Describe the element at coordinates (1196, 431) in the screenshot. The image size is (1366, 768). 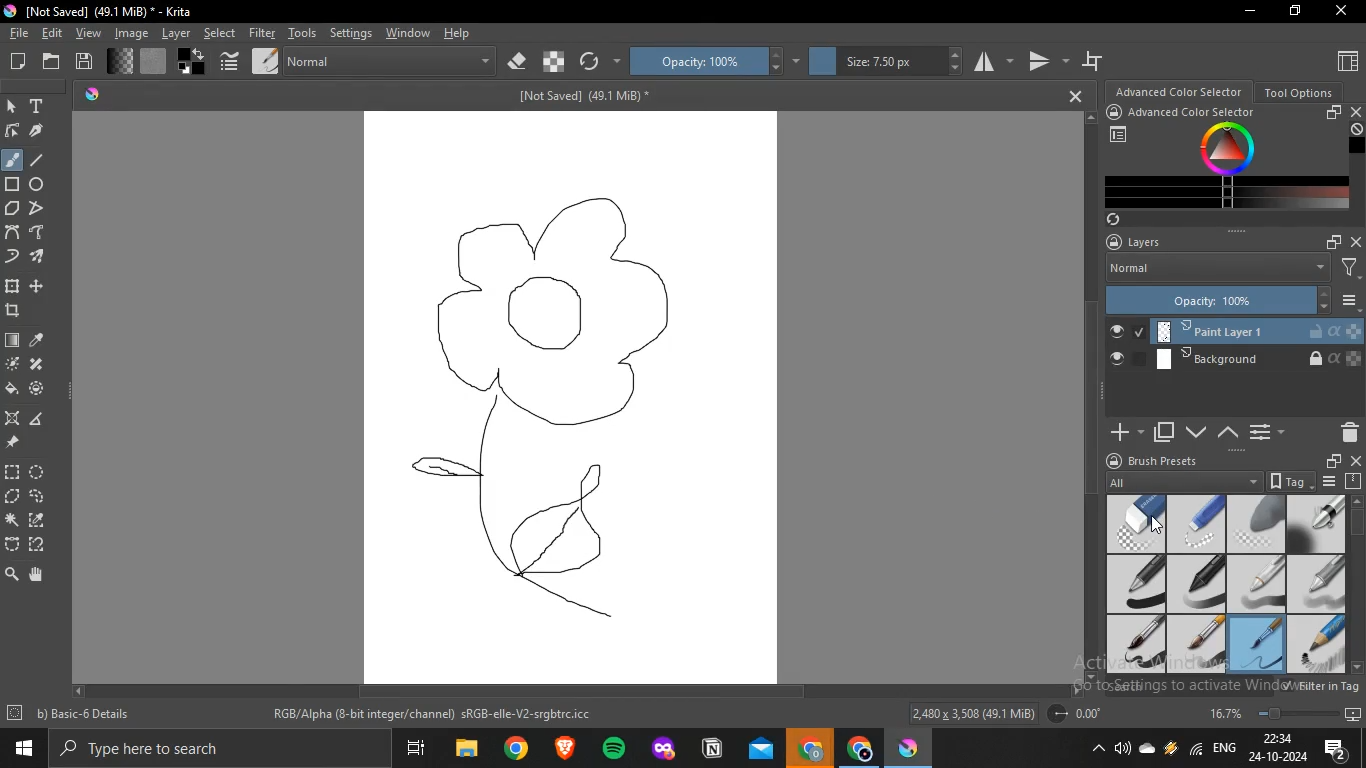
I see `mask down` at that location.